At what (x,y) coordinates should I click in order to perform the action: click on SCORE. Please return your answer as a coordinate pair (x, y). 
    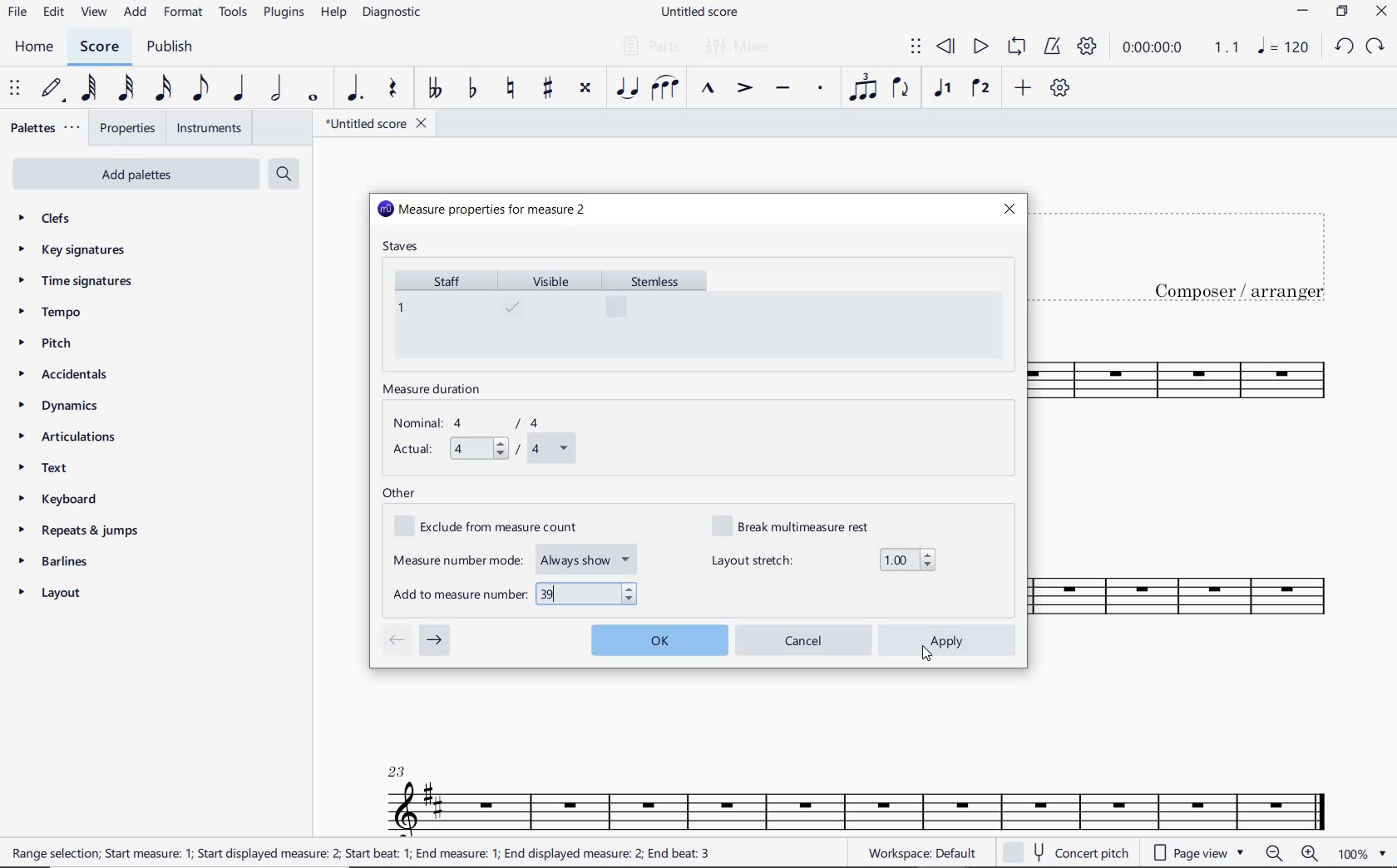
    Looking at the image, I should click on (99, 47).